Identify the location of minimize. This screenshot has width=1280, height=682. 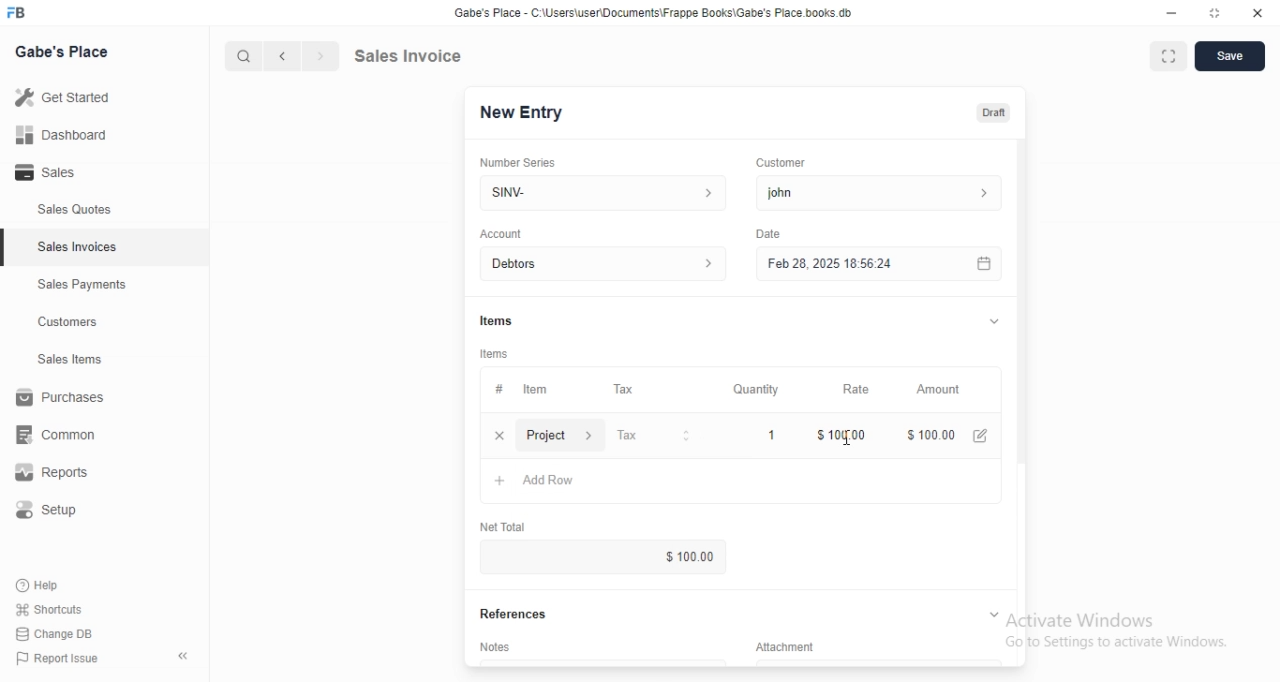
(1163, 15).